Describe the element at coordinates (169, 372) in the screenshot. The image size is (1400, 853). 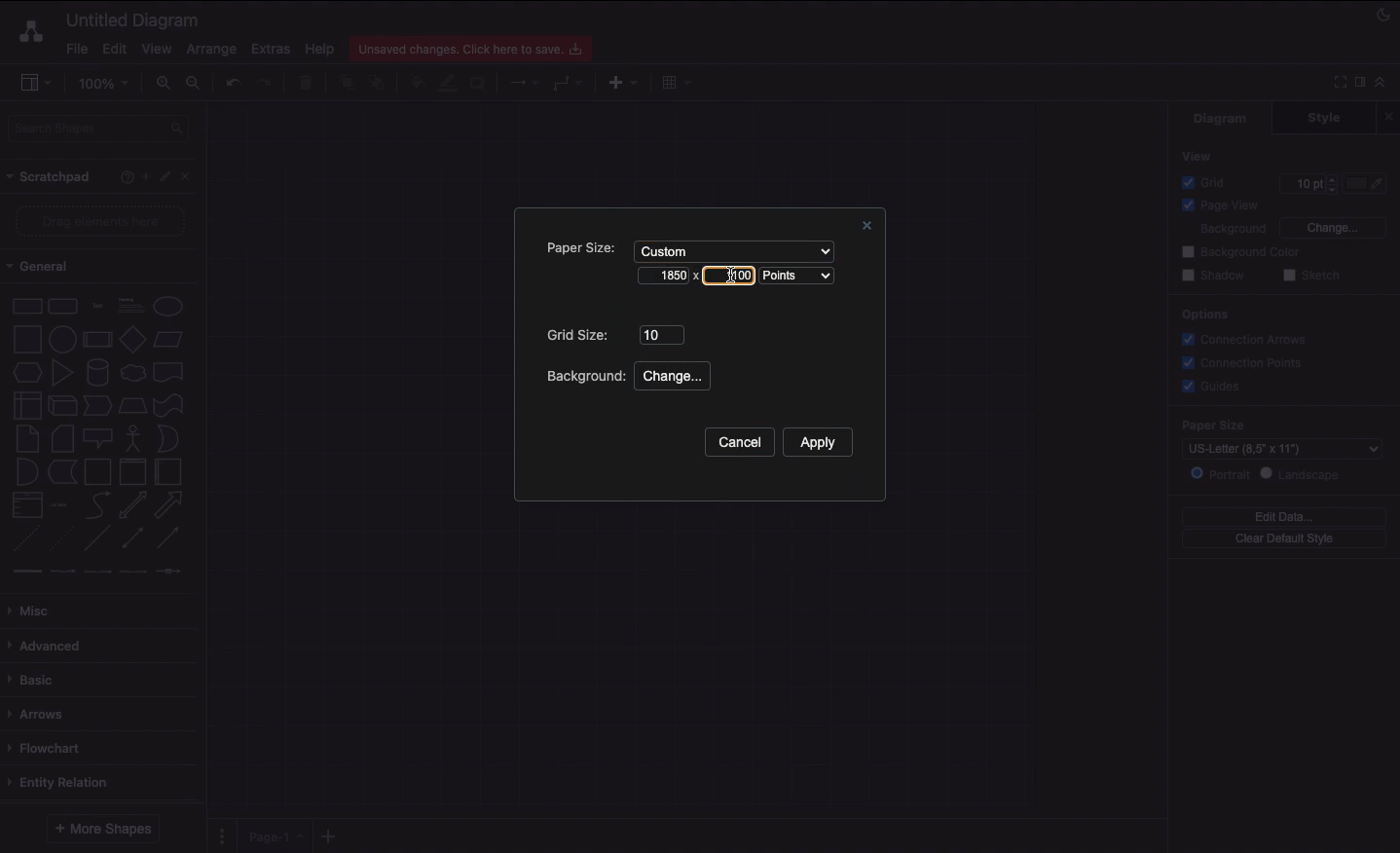
I see `Document` at that location.